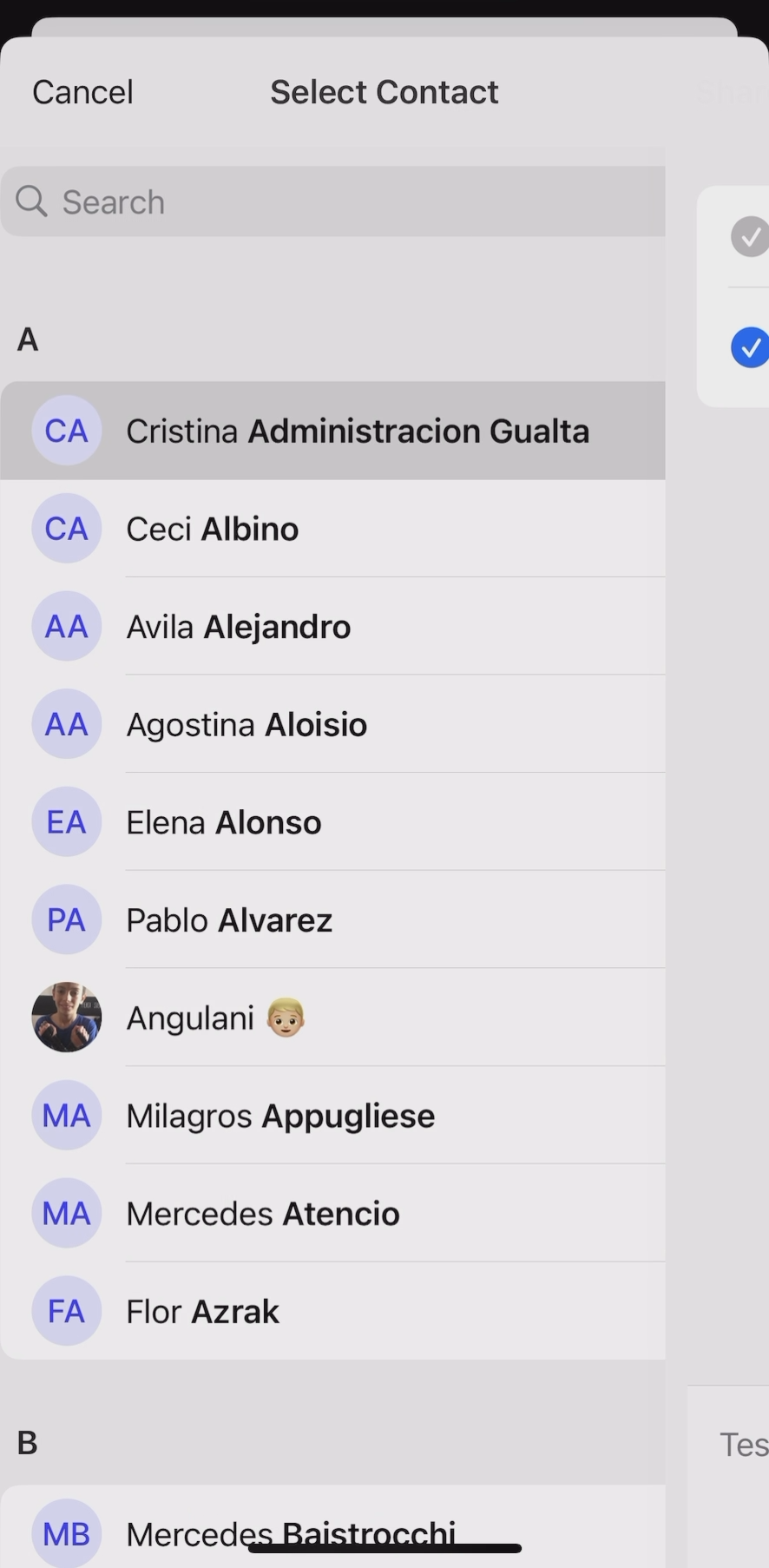  Describe the element at coordinates (749, 287) in the screenshot. I see `check` at that location.